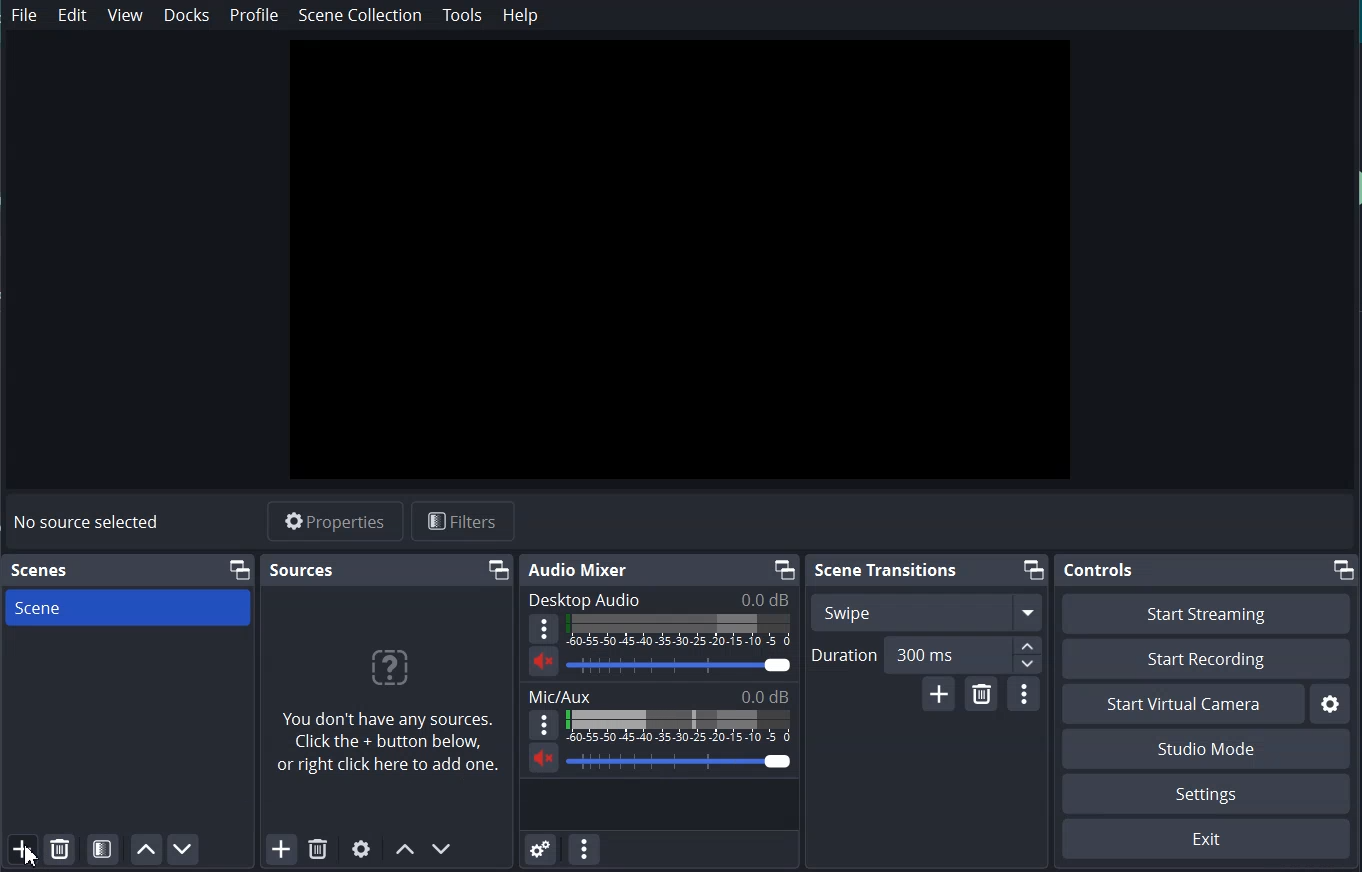 The height and width of the screenshot is (872, 1362). I want to click on More, so click(544, 724).